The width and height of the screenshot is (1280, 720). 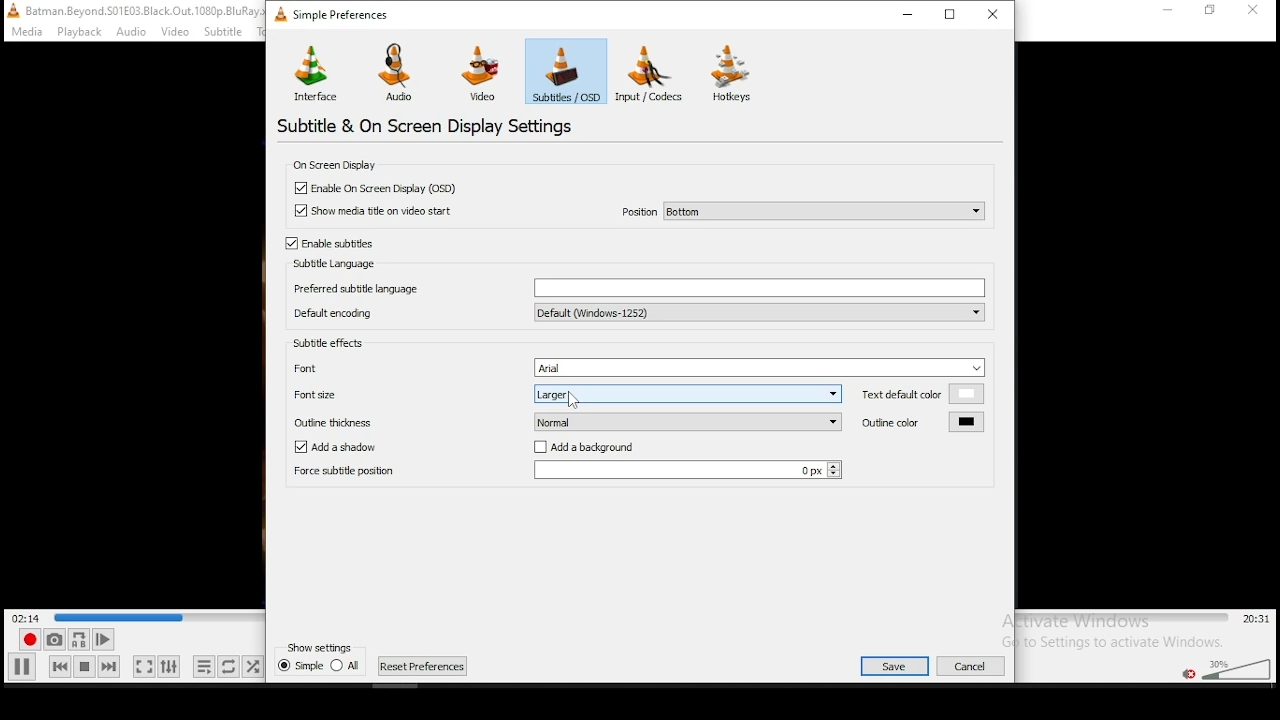 What do you see at coordinates (886, 663) in the screenshot?
I see `` at bounding box center [886, 663].